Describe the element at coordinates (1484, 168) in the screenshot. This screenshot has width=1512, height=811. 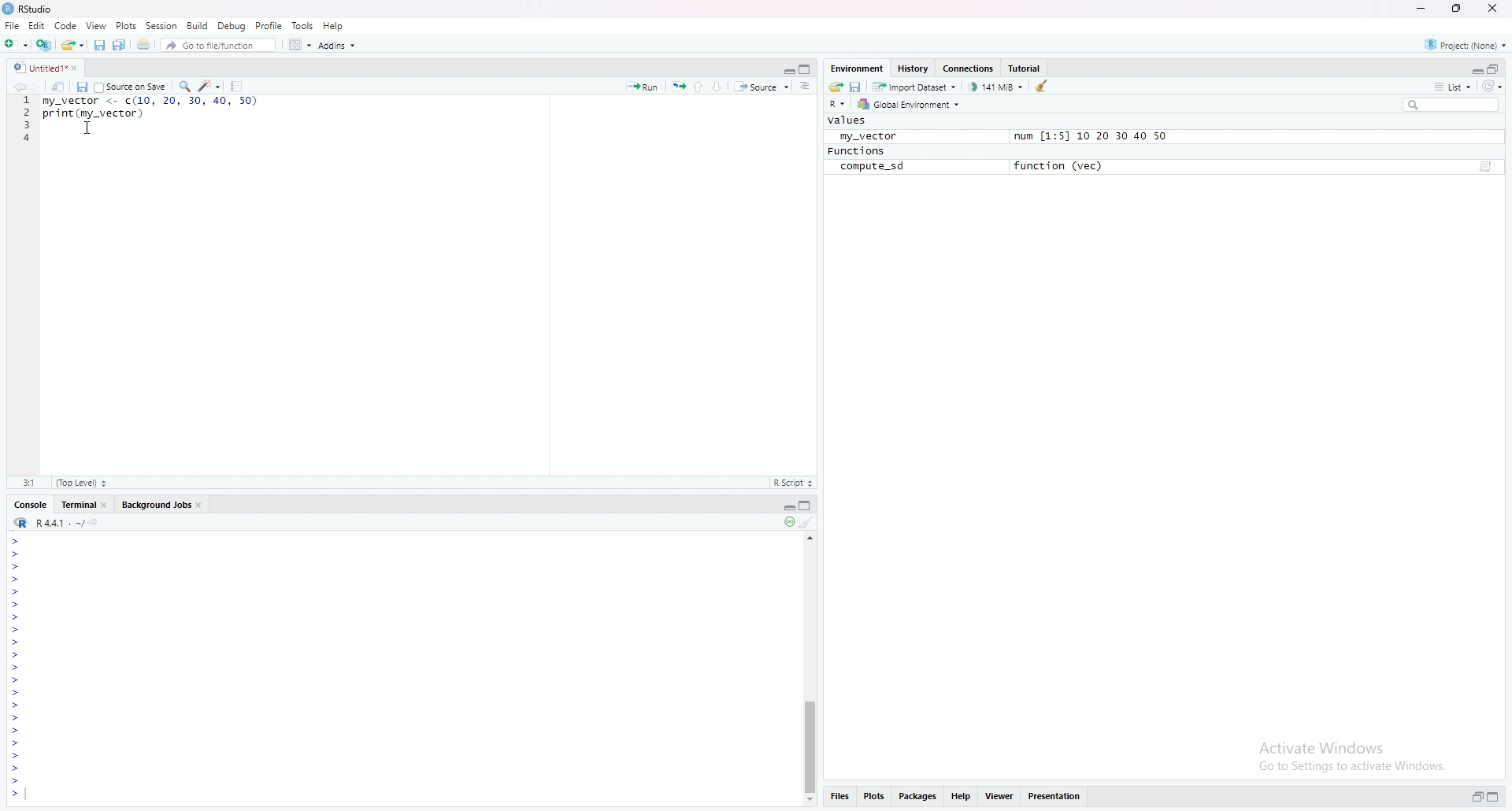
I see `Doc` at that location.